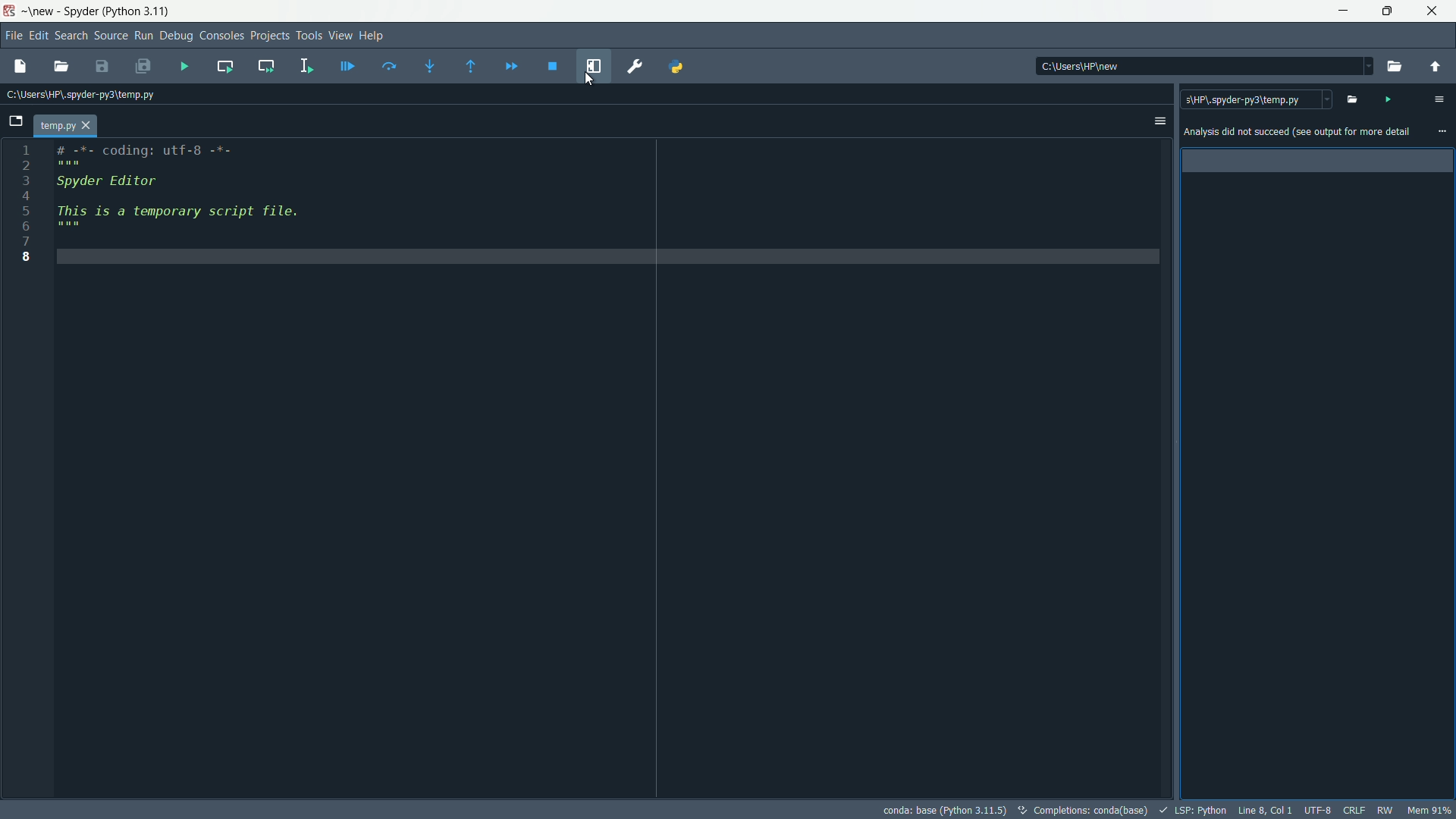  I want to click on line numbers, so click(25, 206).